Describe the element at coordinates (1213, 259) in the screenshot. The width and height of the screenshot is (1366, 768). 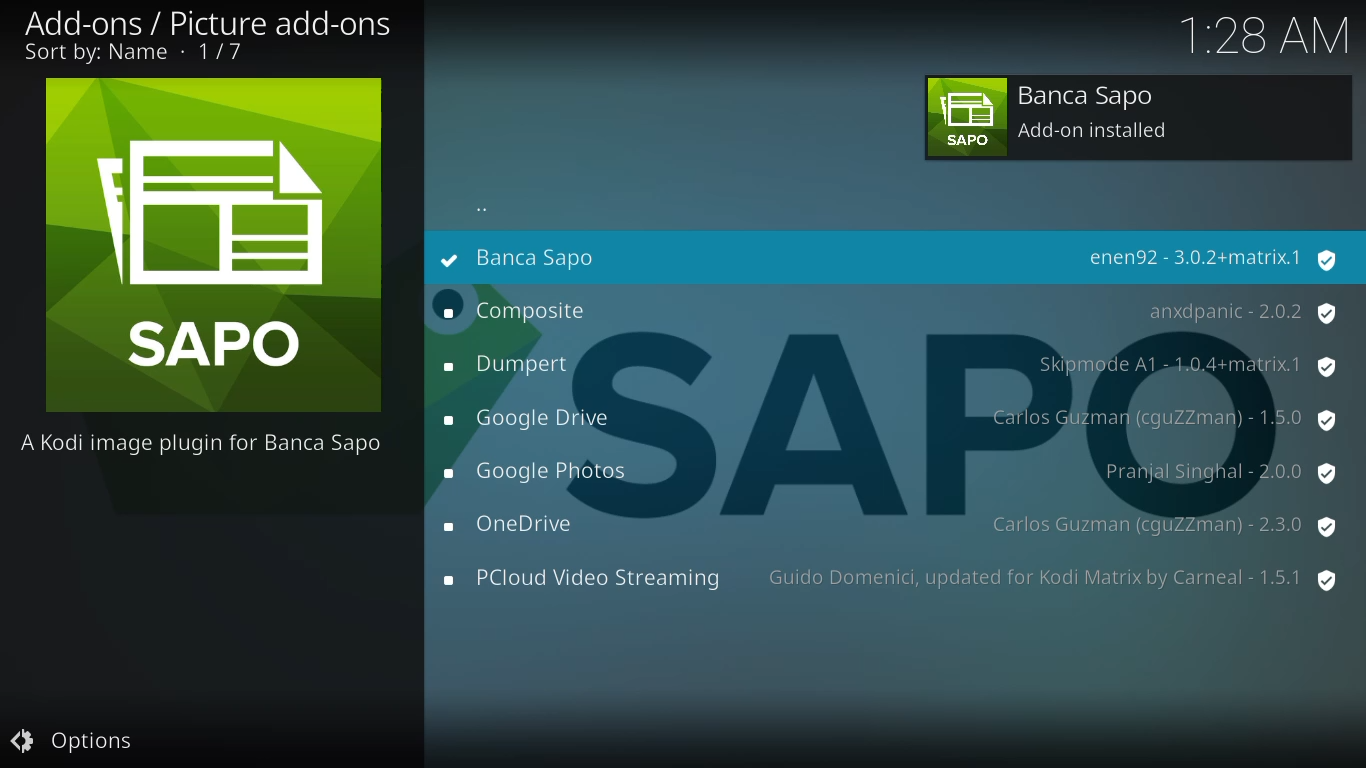
I see `version` at that location.